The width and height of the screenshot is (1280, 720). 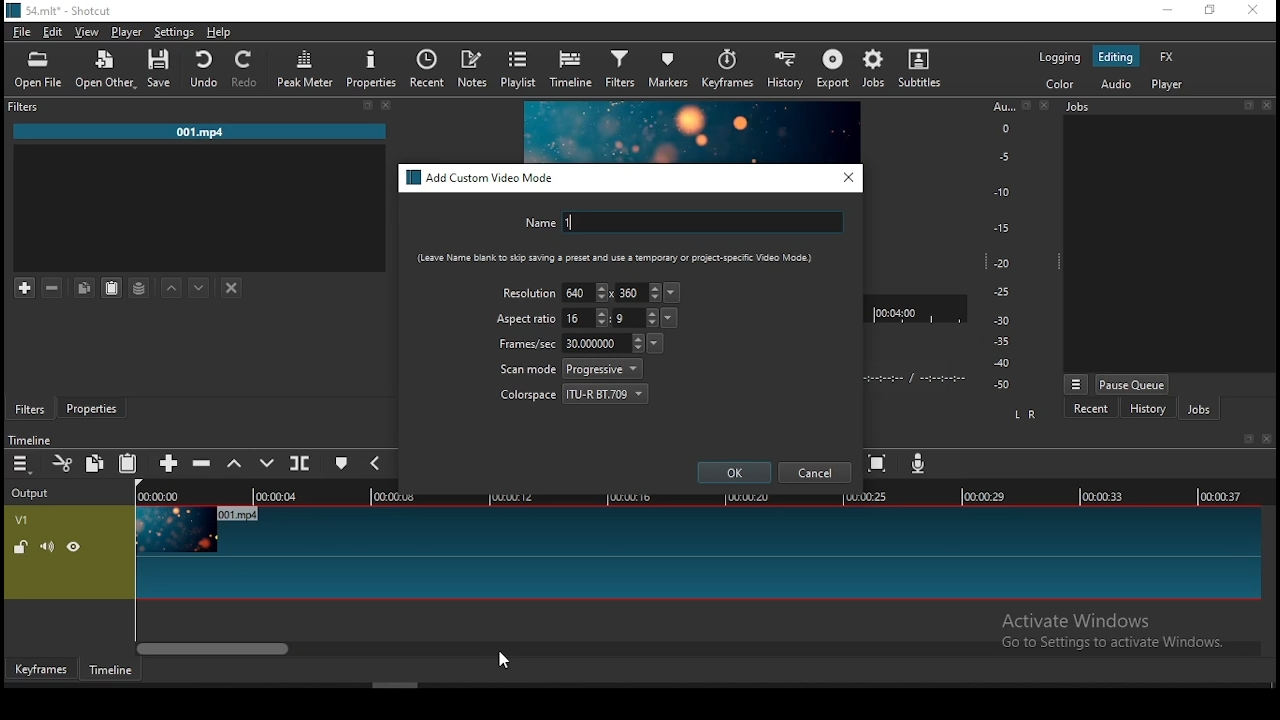 I want to click on open file, so click(x=38, y=71).